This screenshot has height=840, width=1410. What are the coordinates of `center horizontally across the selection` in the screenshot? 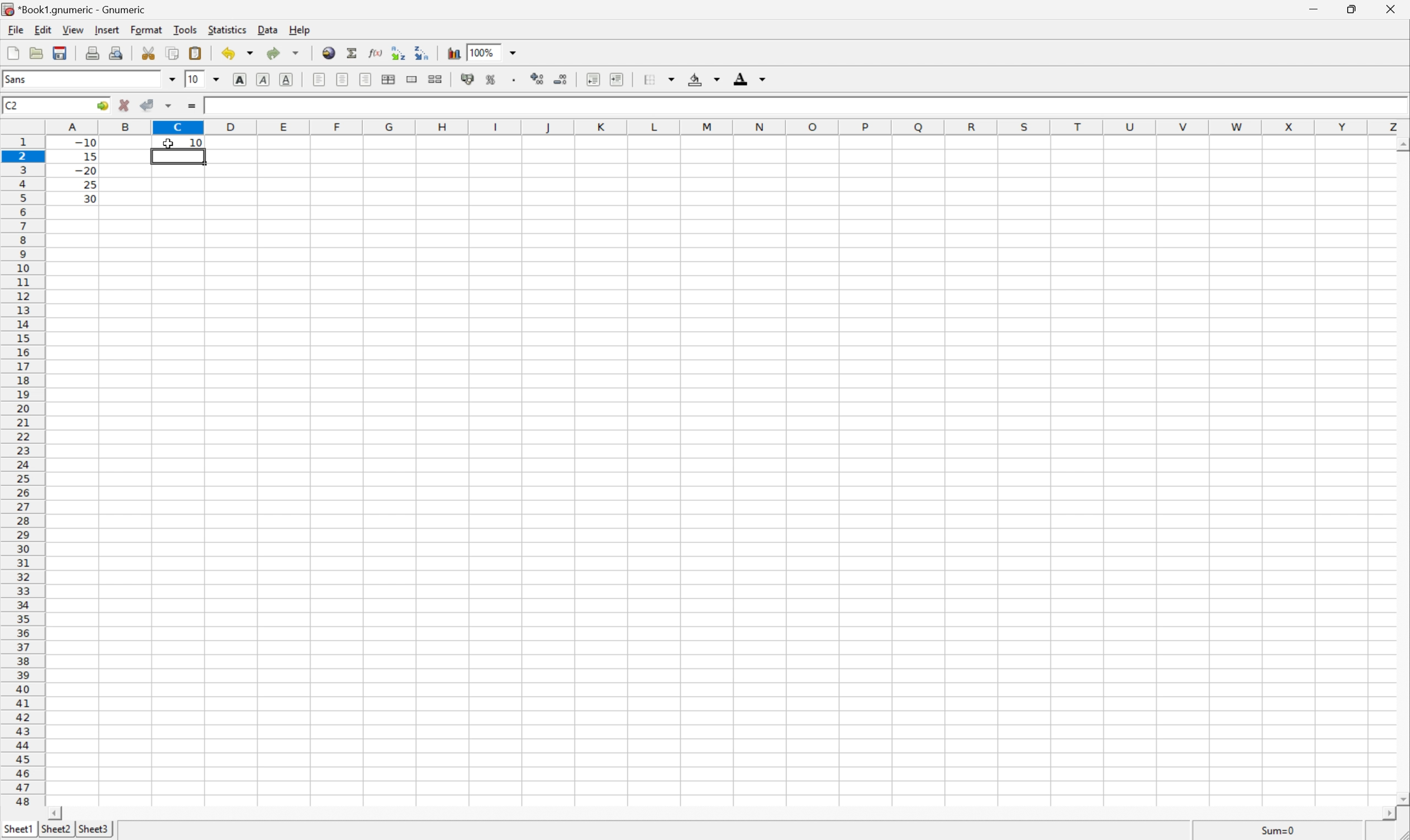 It's located at (390, 80).